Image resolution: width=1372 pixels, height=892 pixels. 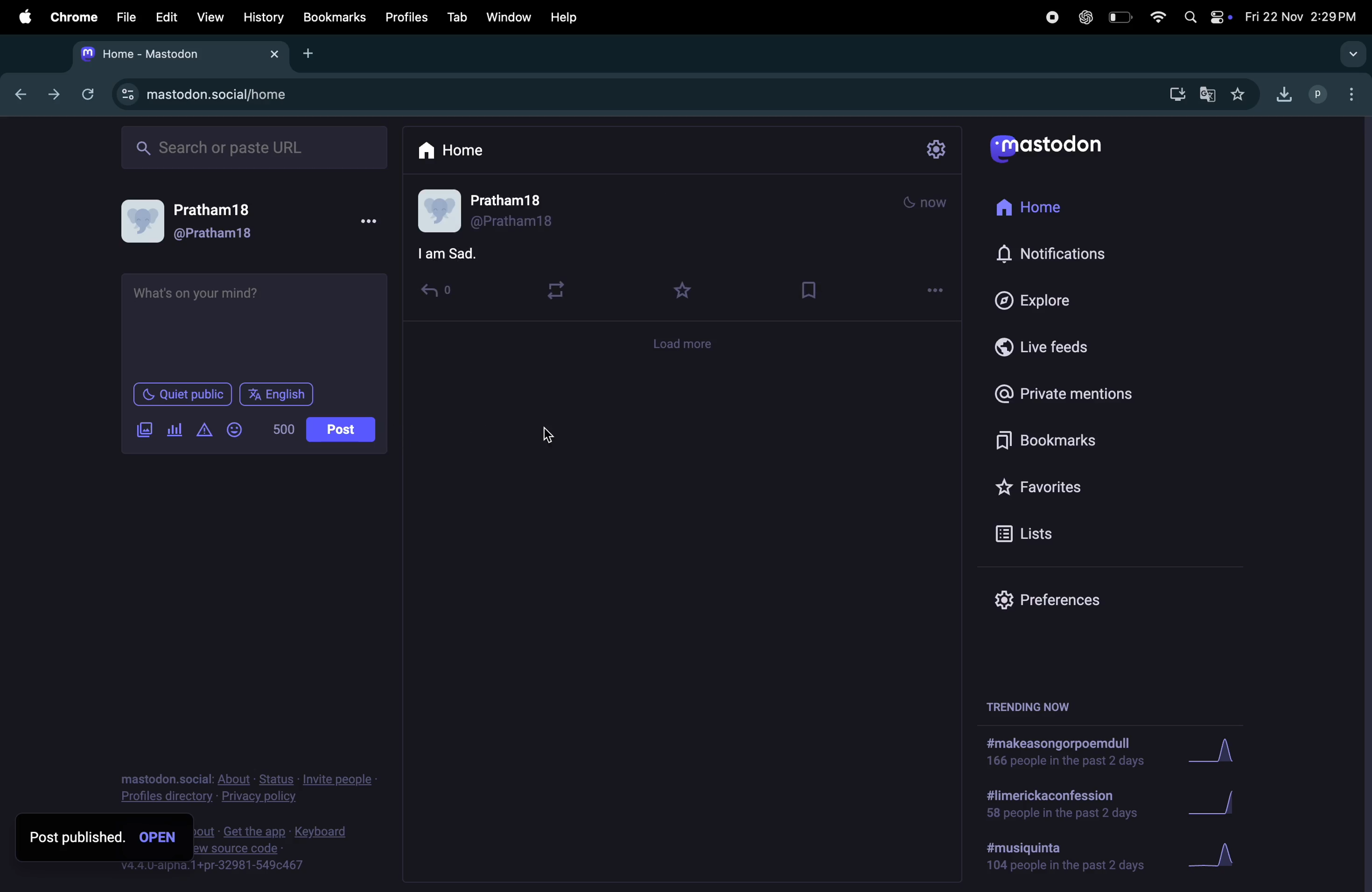 I want to click on mood post, so click(x=676, y=224).